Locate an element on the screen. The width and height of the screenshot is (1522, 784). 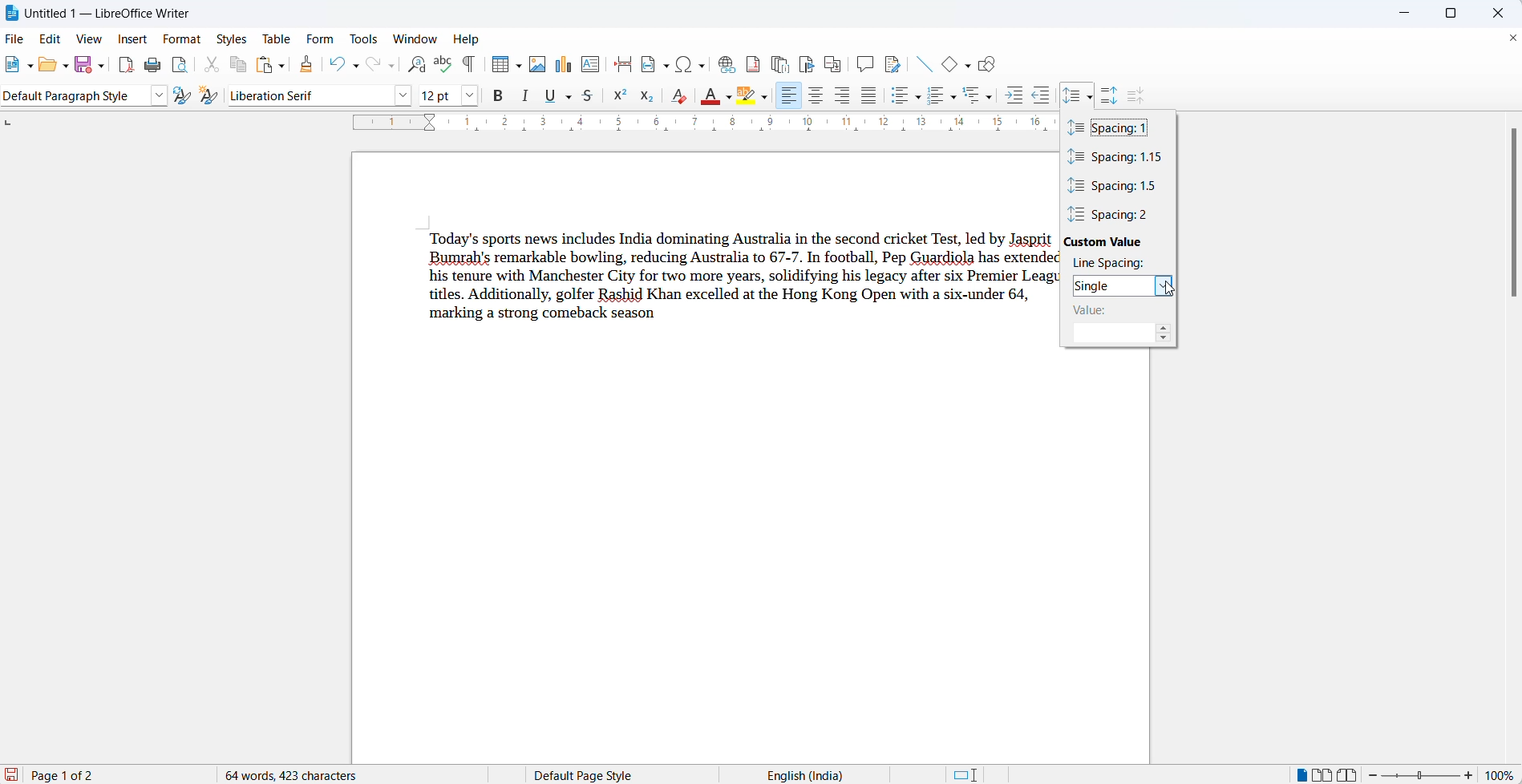
close is located at coordinates (1494, 12).